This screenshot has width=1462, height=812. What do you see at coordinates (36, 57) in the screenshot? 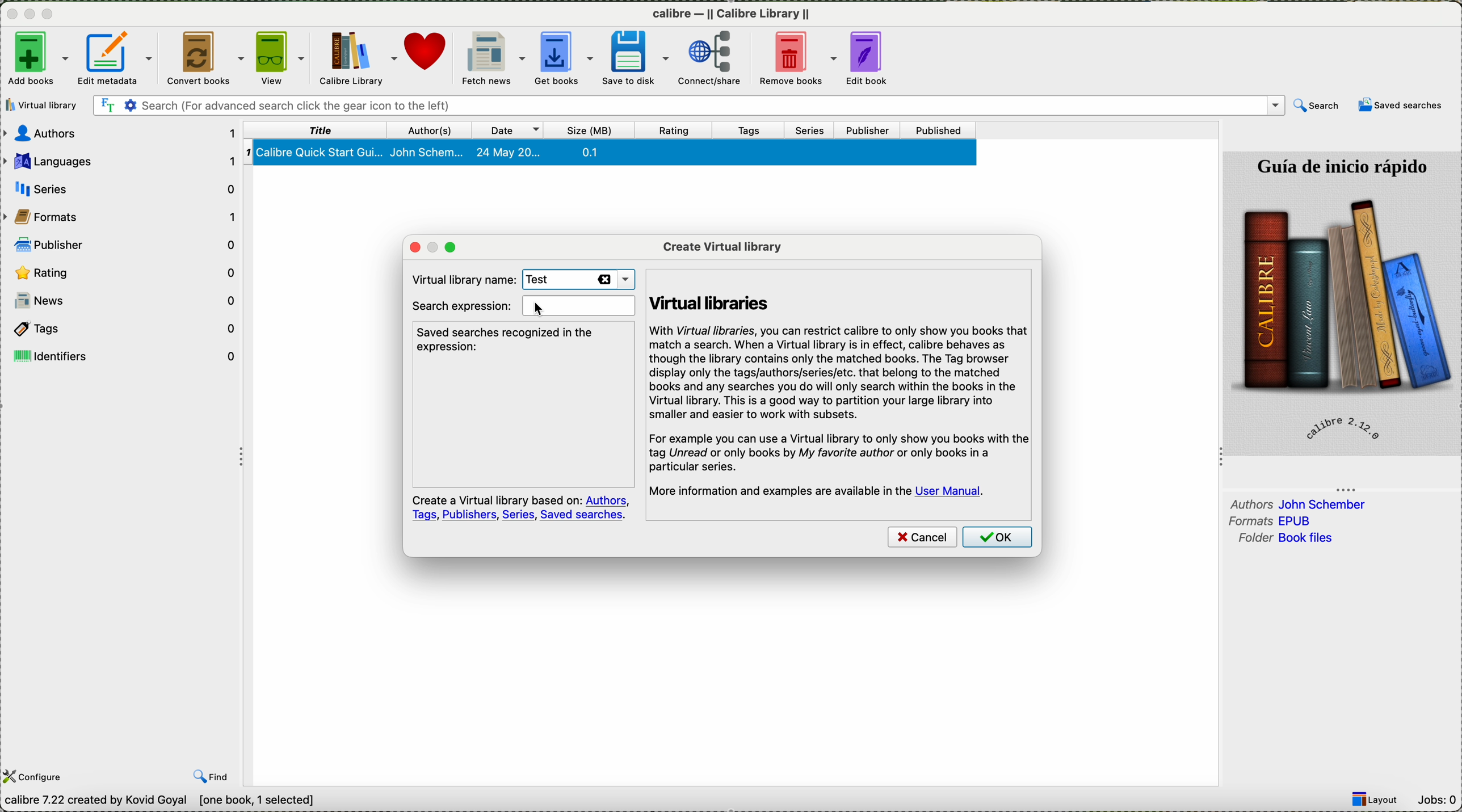
I see `add books` at bounding box center [36, 57].